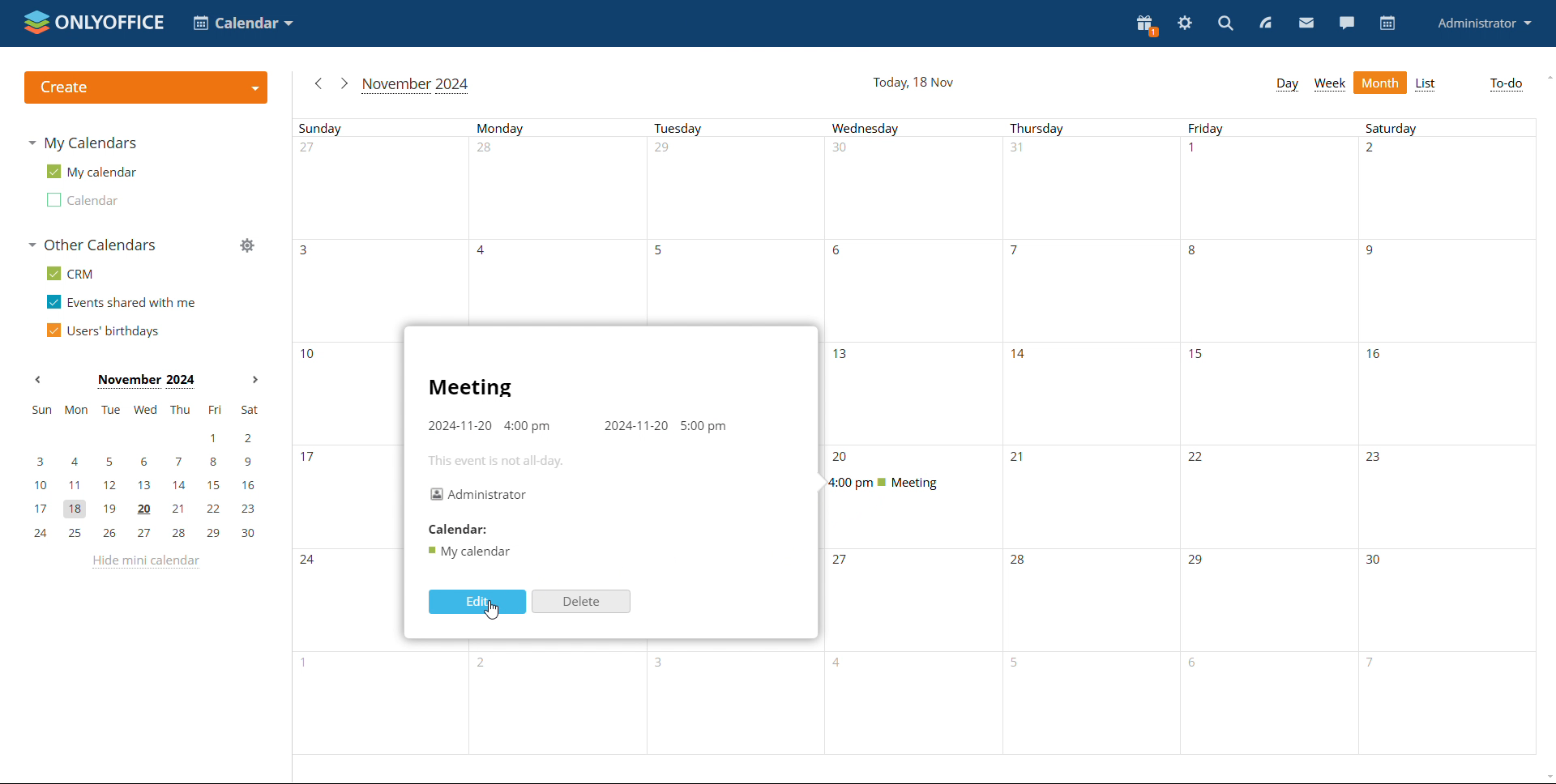  I want to click on Mondays, so click(561, 222).